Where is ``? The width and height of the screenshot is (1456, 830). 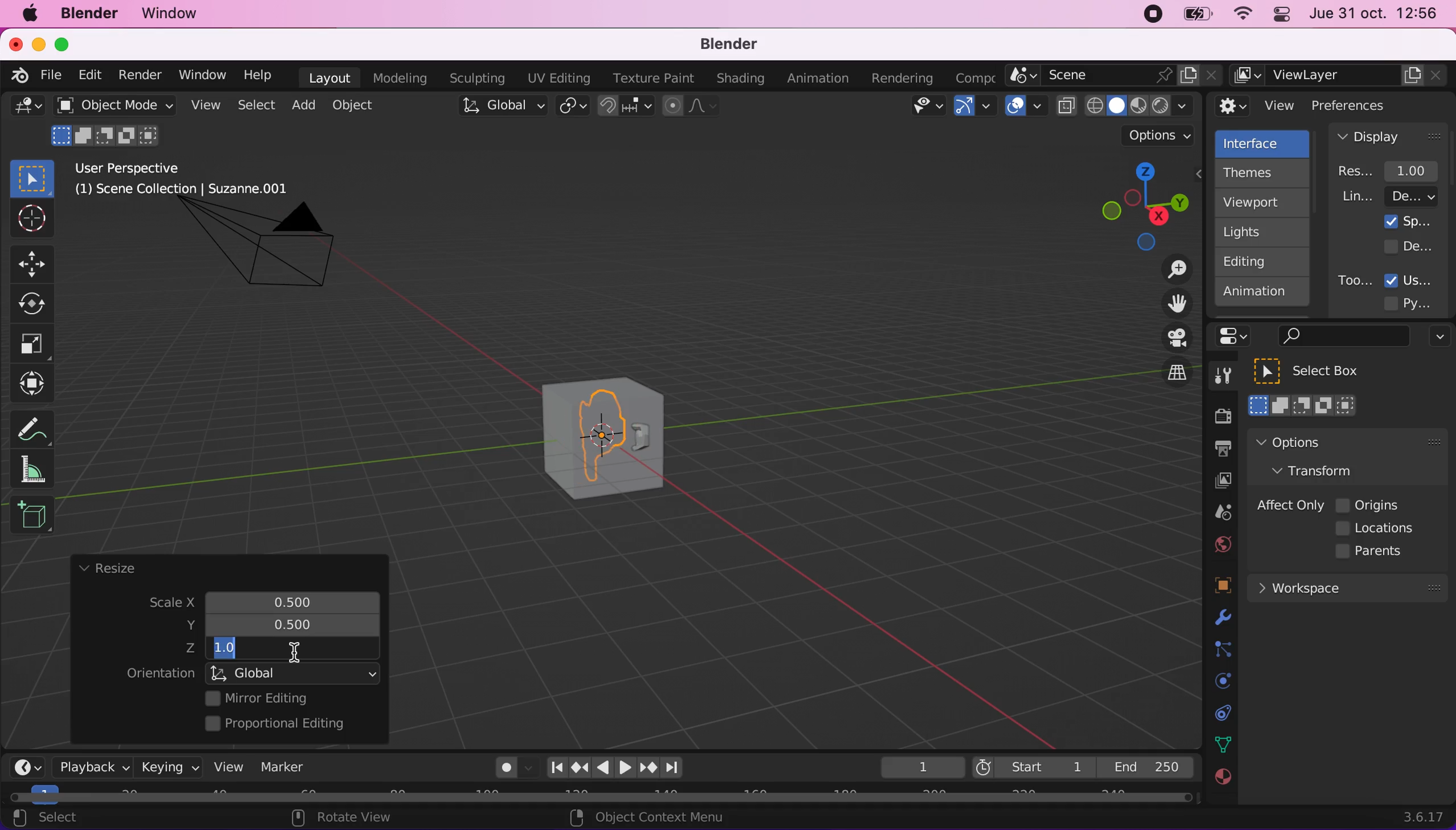  is located at coordinates (32, 344).